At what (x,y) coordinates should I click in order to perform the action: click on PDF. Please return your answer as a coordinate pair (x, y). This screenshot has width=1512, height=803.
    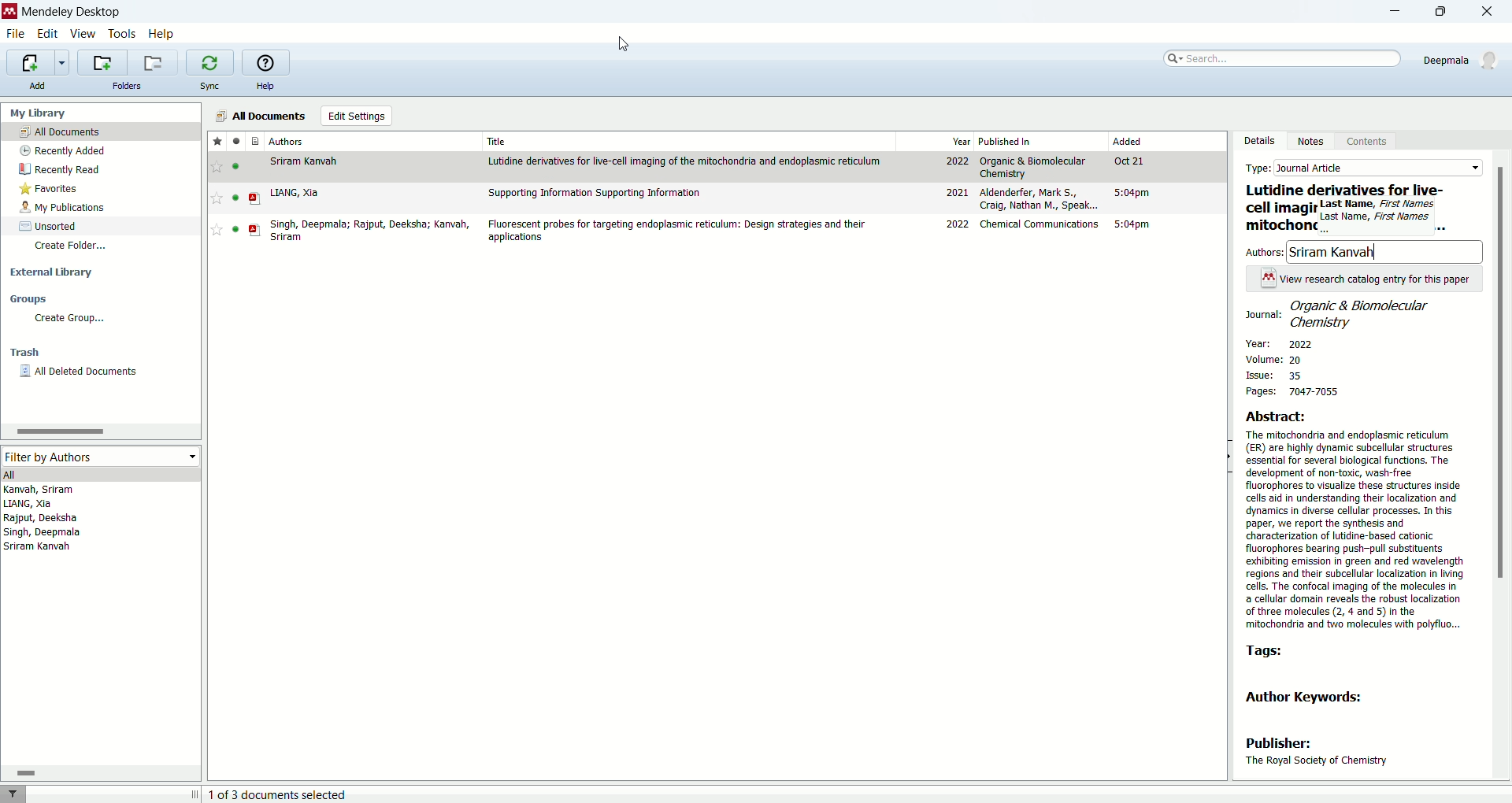
    Looking at the image, I should click on (256, 231).